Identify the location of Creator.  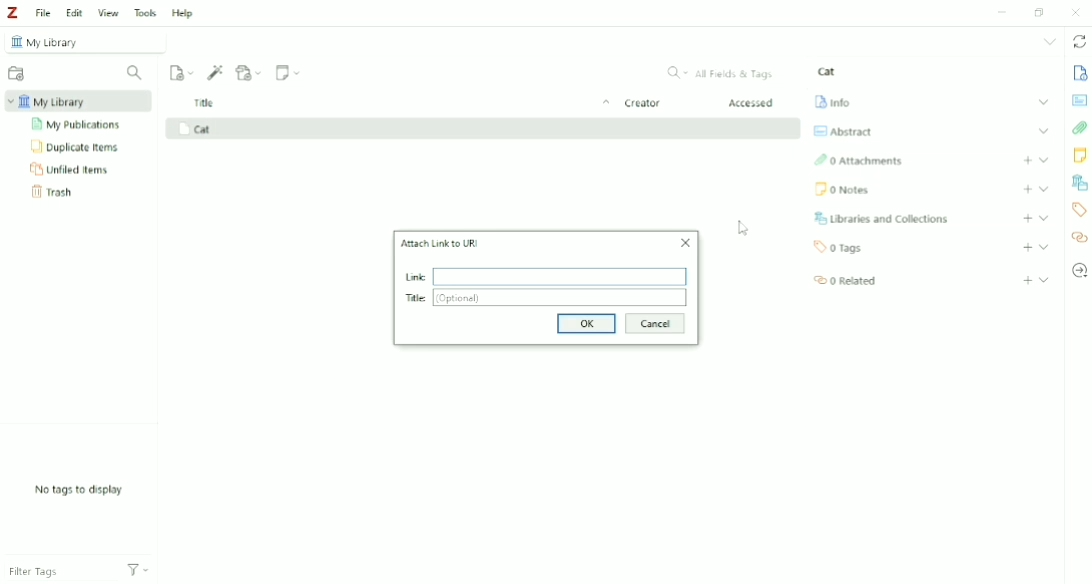
(642, 104).